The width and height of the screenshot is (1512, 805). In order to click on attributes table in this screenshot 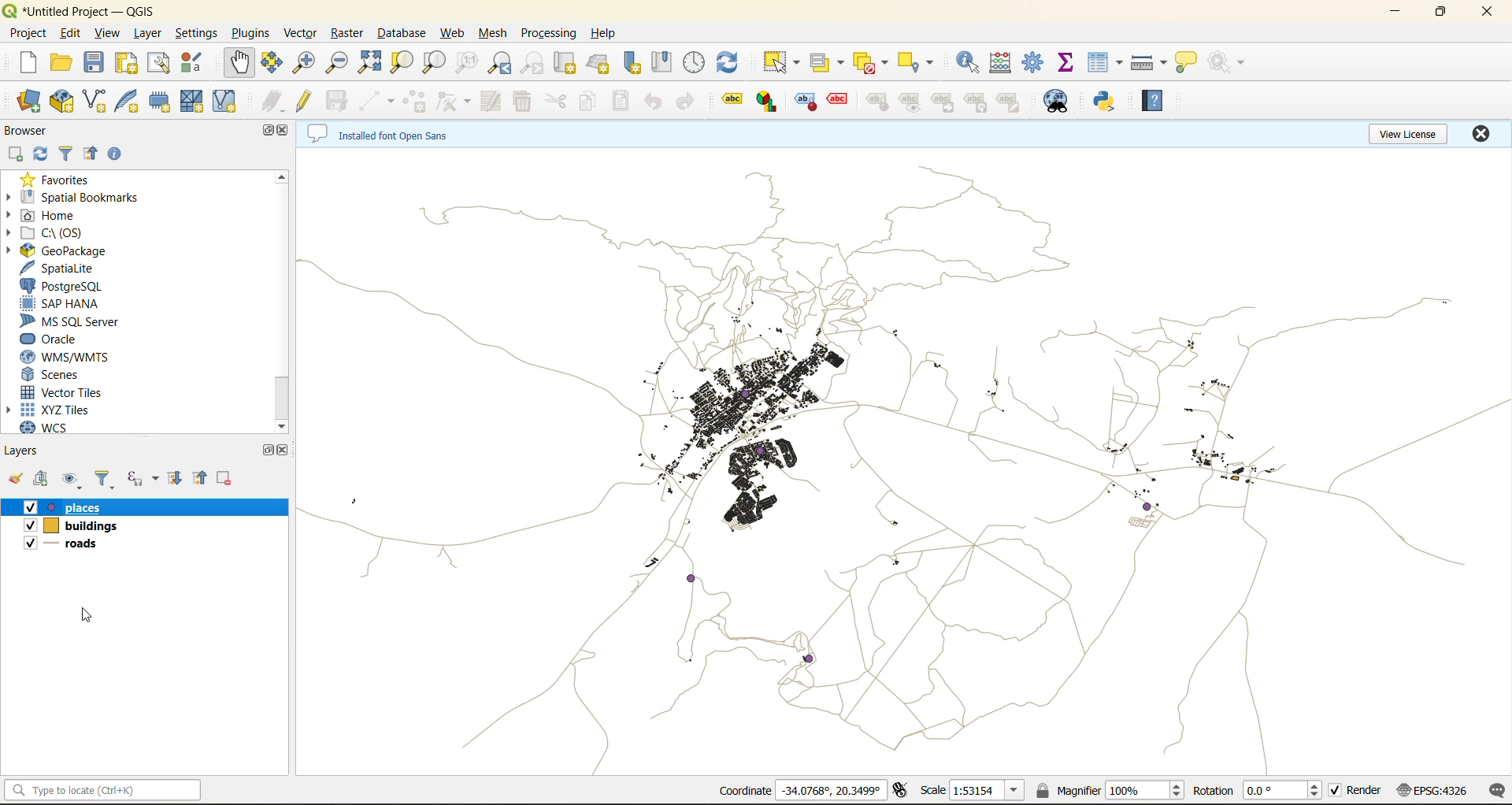, I will do `click(1106, 64)`.